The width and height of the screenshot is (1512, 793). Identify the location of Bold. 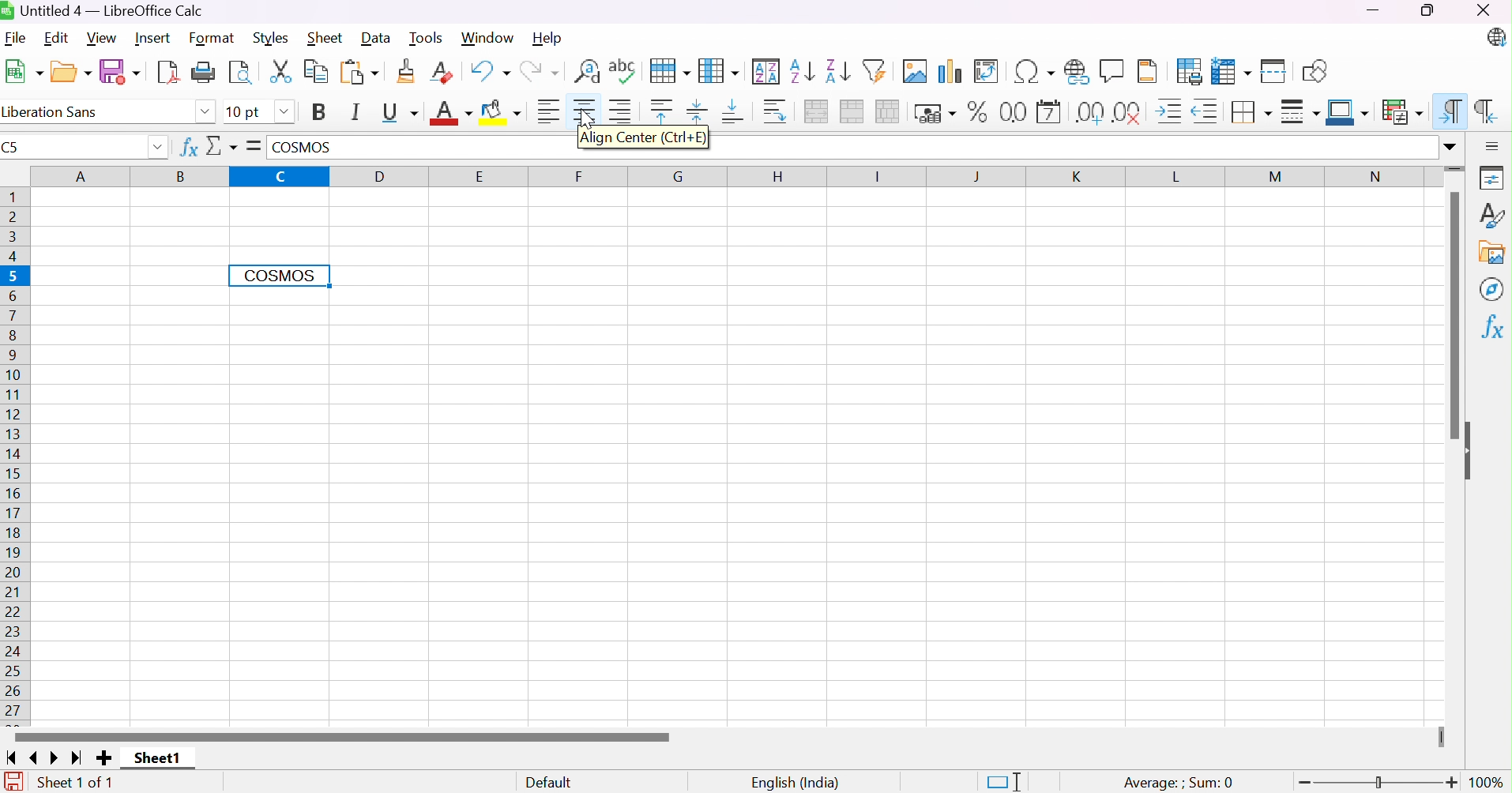
(319, 112).